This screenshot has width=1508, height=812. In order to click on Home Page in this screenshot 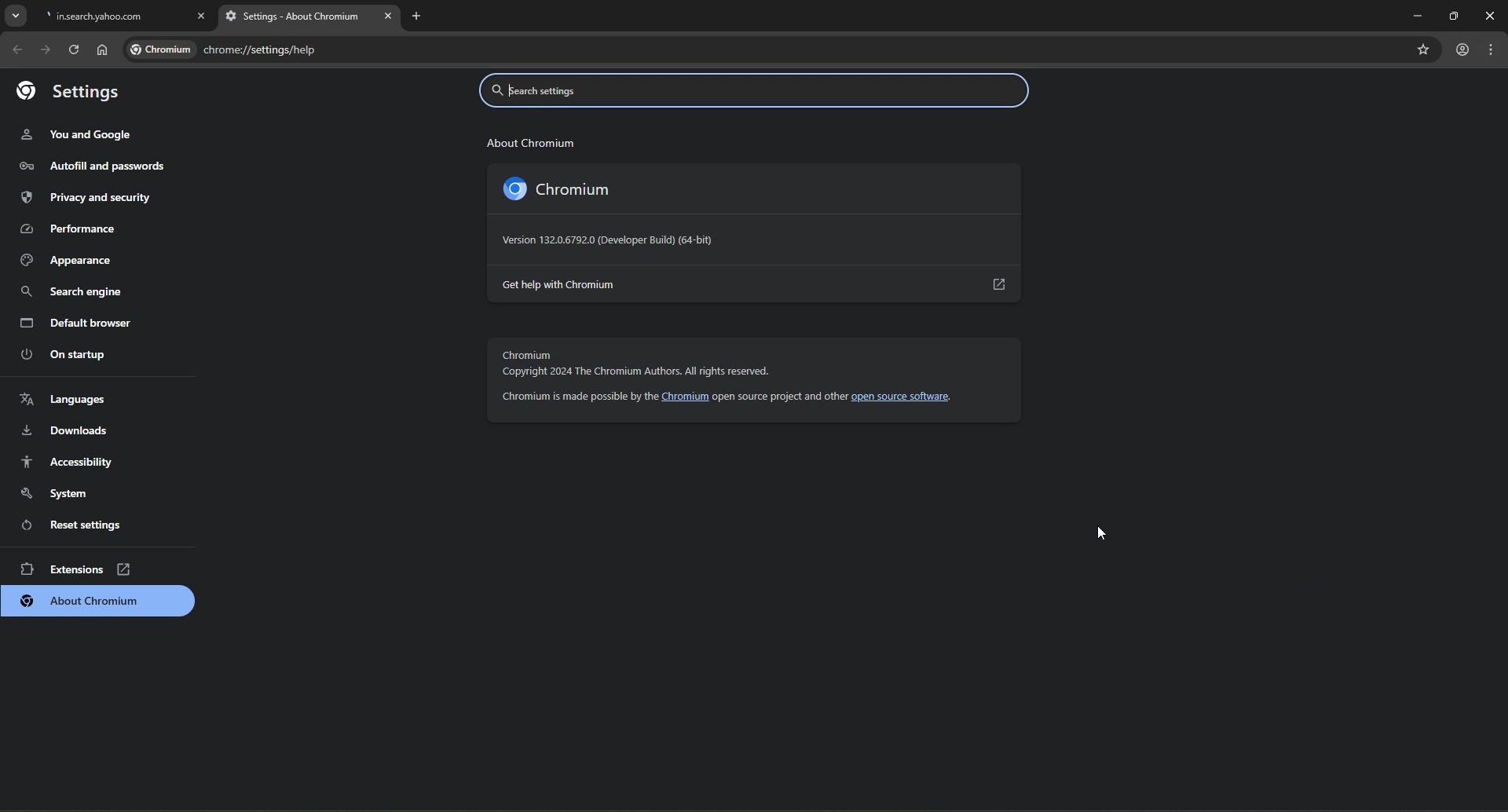, I will do `click(102, 50)`.